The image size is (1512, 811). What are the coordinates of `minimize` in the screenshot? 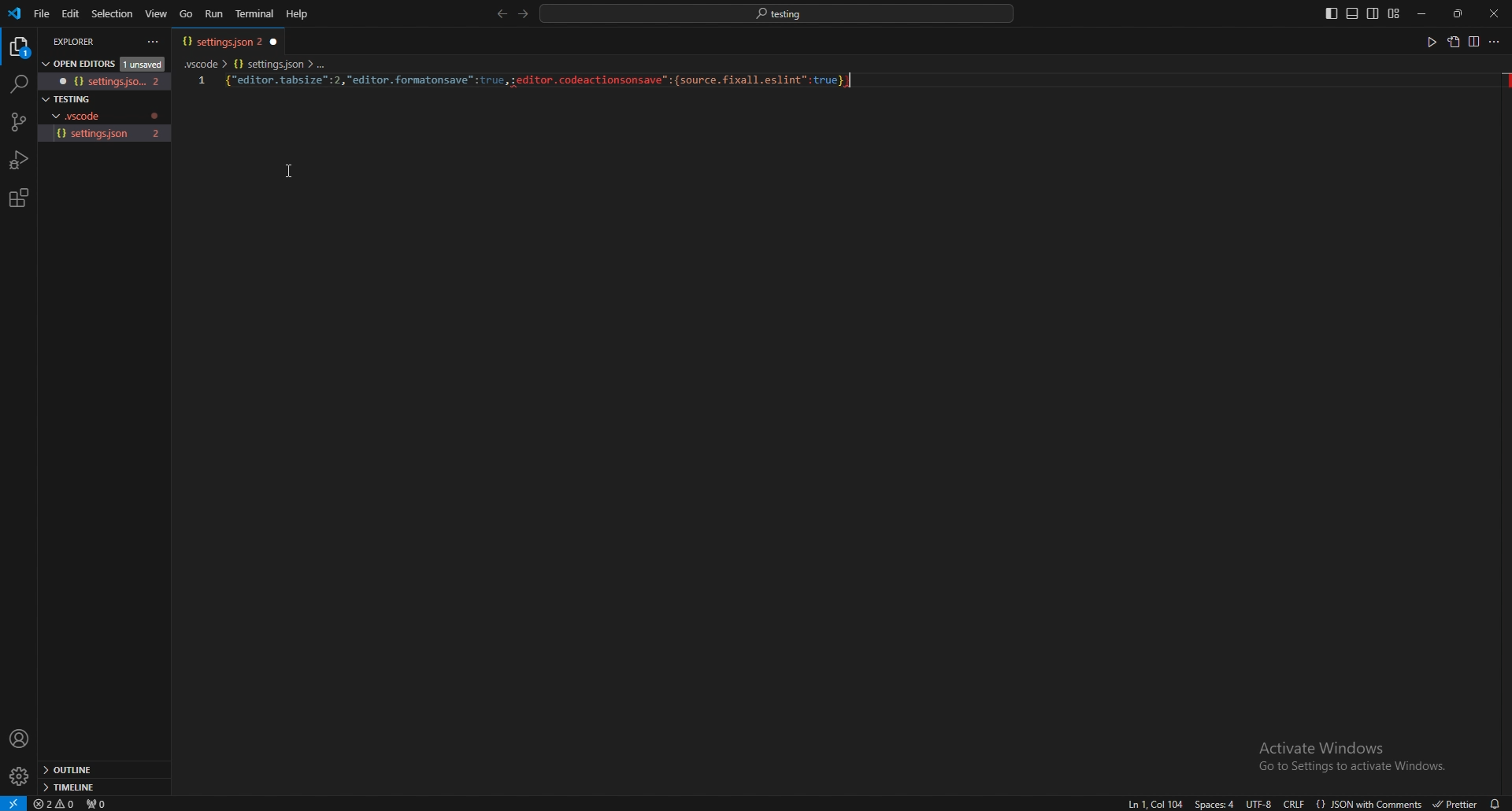 It's located at (1423, 14).